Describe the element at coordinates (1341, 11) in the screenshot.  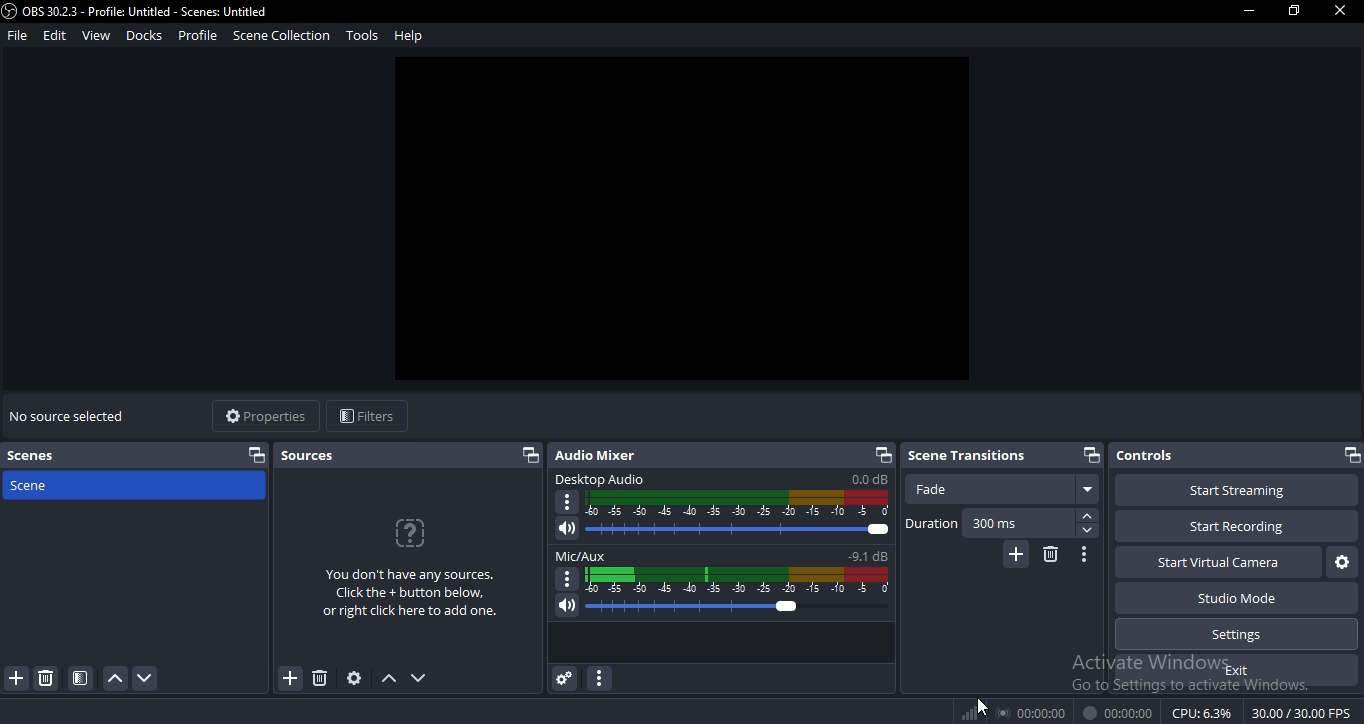
I see `close` at that location.